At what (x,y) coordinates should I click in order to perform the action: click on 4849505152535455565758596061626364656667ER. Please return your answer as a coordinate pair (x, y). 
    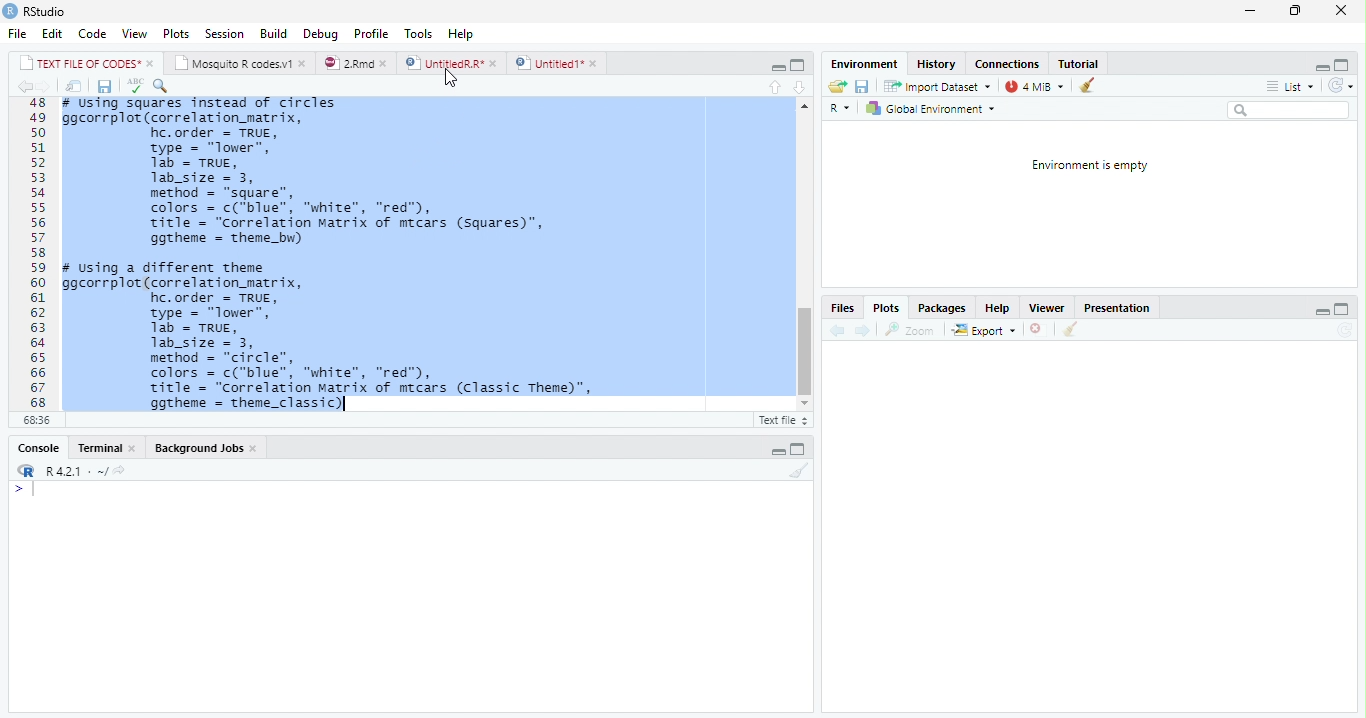
    Looking at the image, I should click on (35, 253).